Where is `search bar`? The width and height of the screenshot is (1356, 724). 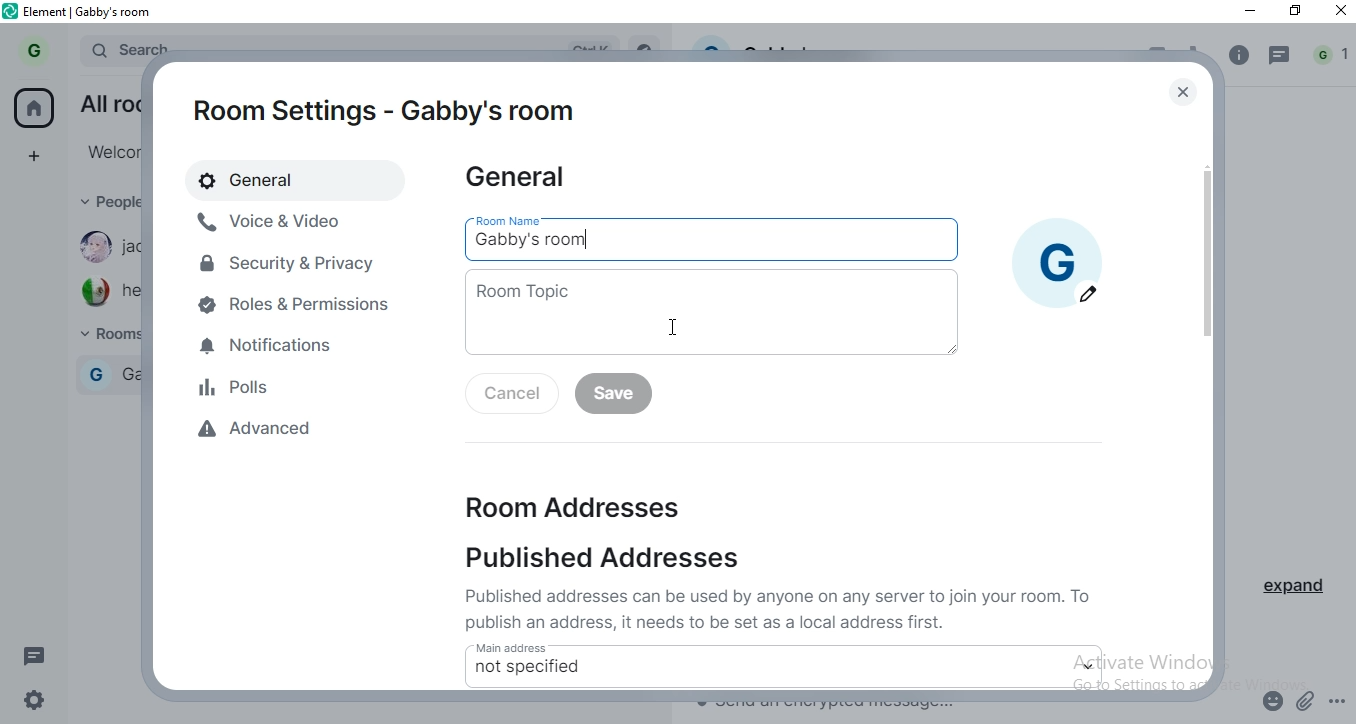
search bar is located at coordinates (125, 46).